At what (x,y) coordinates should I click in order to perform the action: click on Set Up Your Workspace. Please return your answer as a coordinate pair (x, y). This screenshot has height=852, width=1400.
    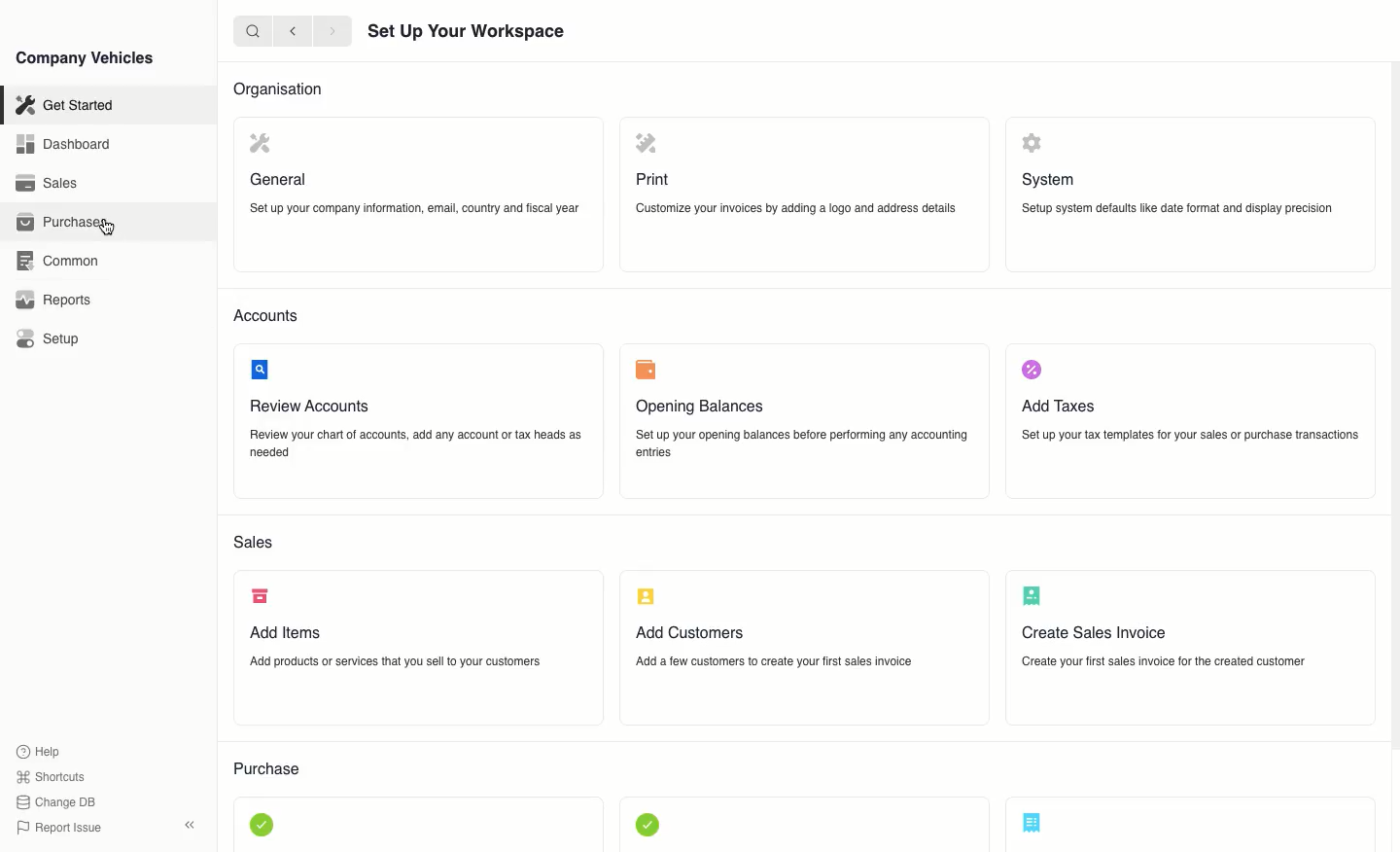
    Looking at the image, I should click on (468, 33).